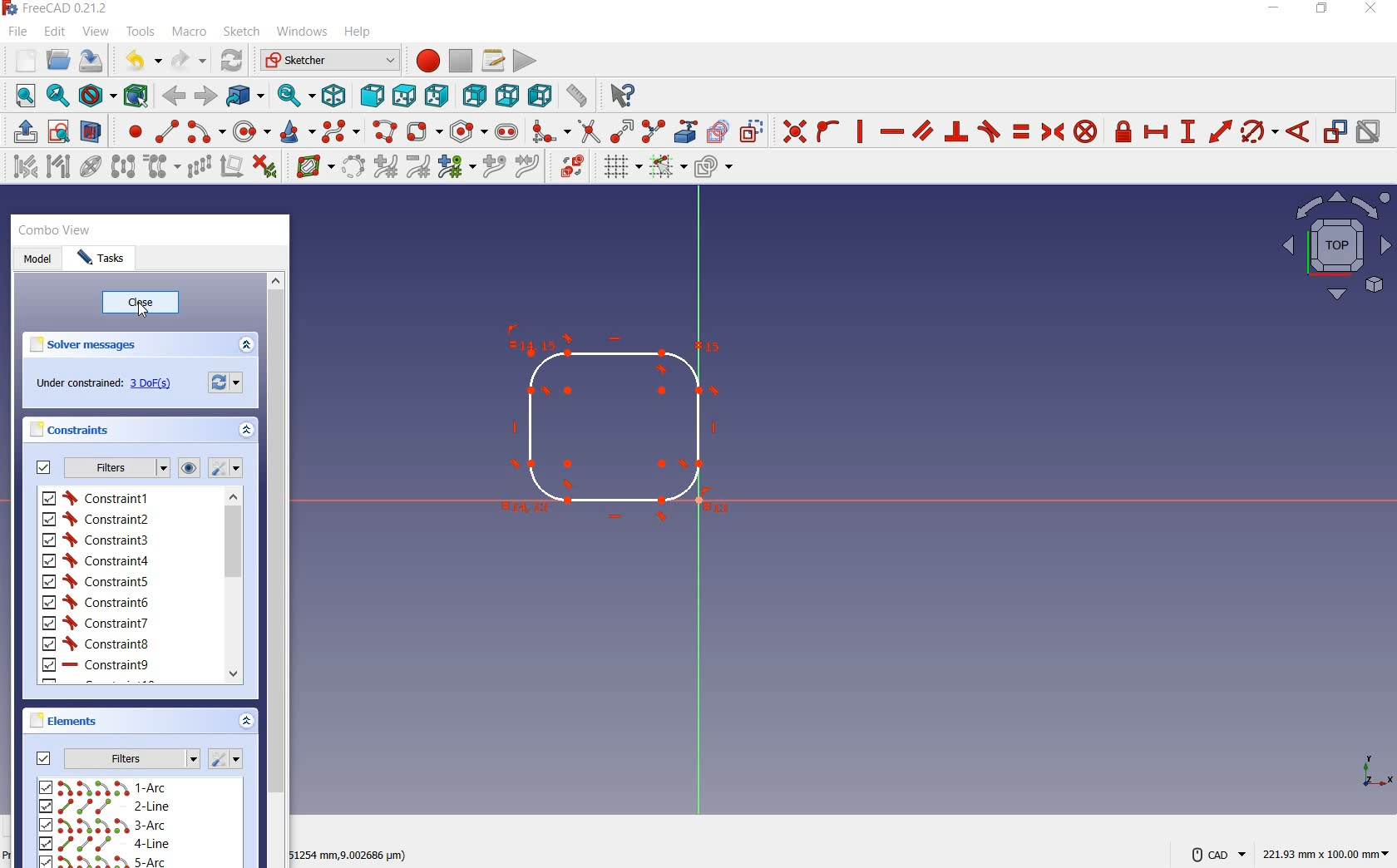  I want to click on increase b-spline degree, so click(386, 166).